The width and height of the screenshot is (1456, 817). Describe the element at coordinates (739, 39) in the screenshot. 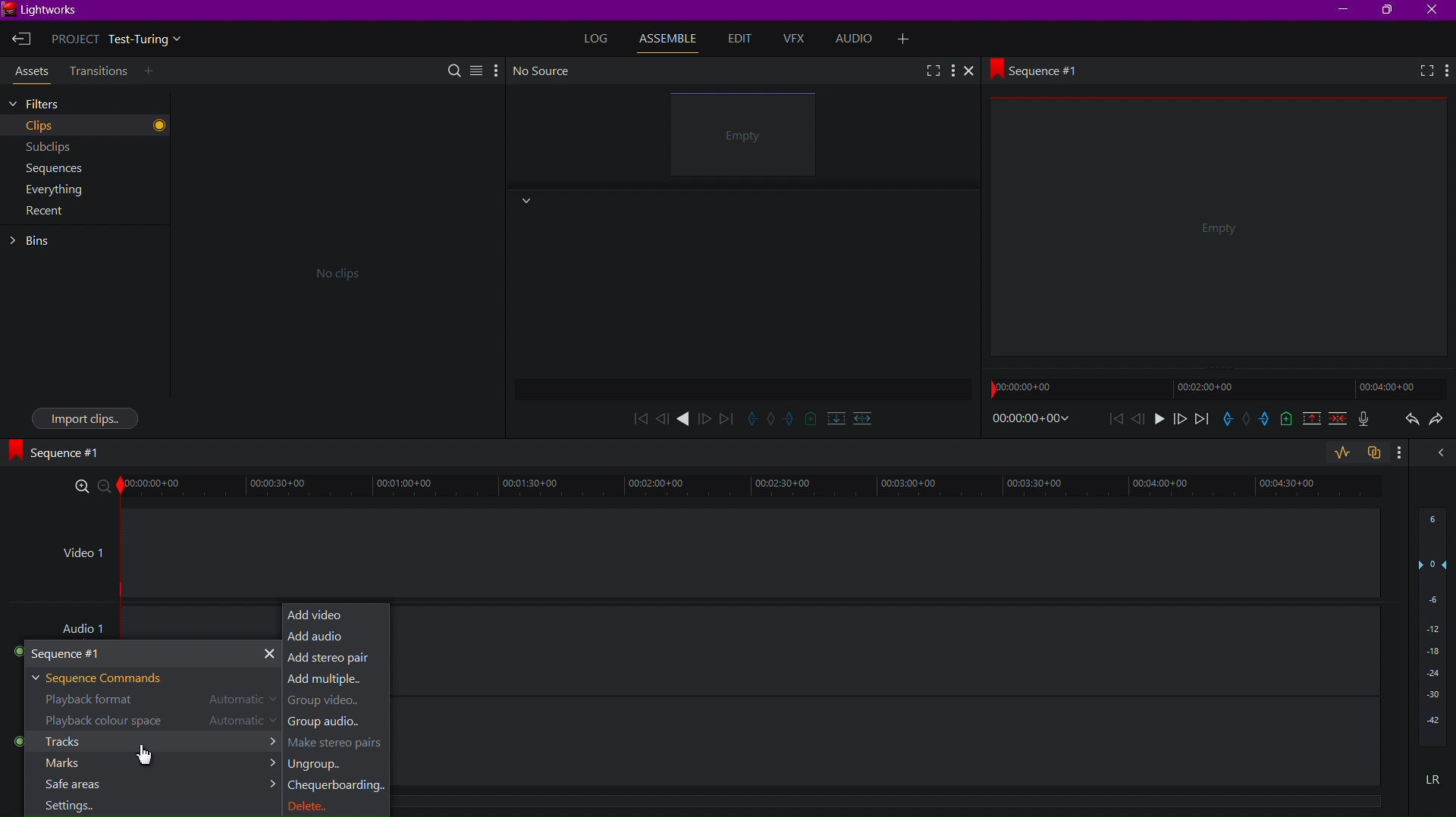

I see `Edit` at that location.